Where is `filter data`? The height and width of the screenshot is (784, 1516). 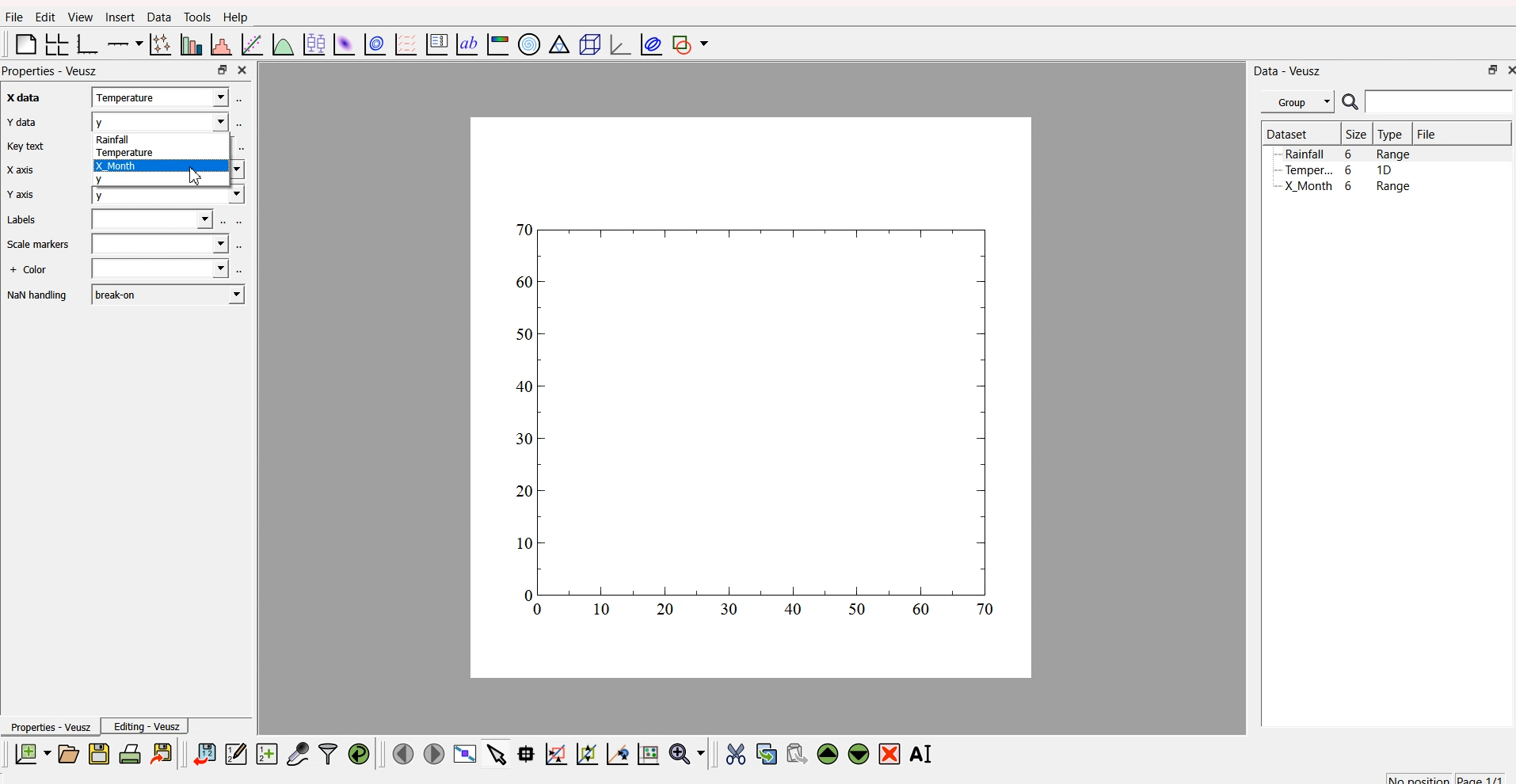 filter data is located at coordinates (328, 752).